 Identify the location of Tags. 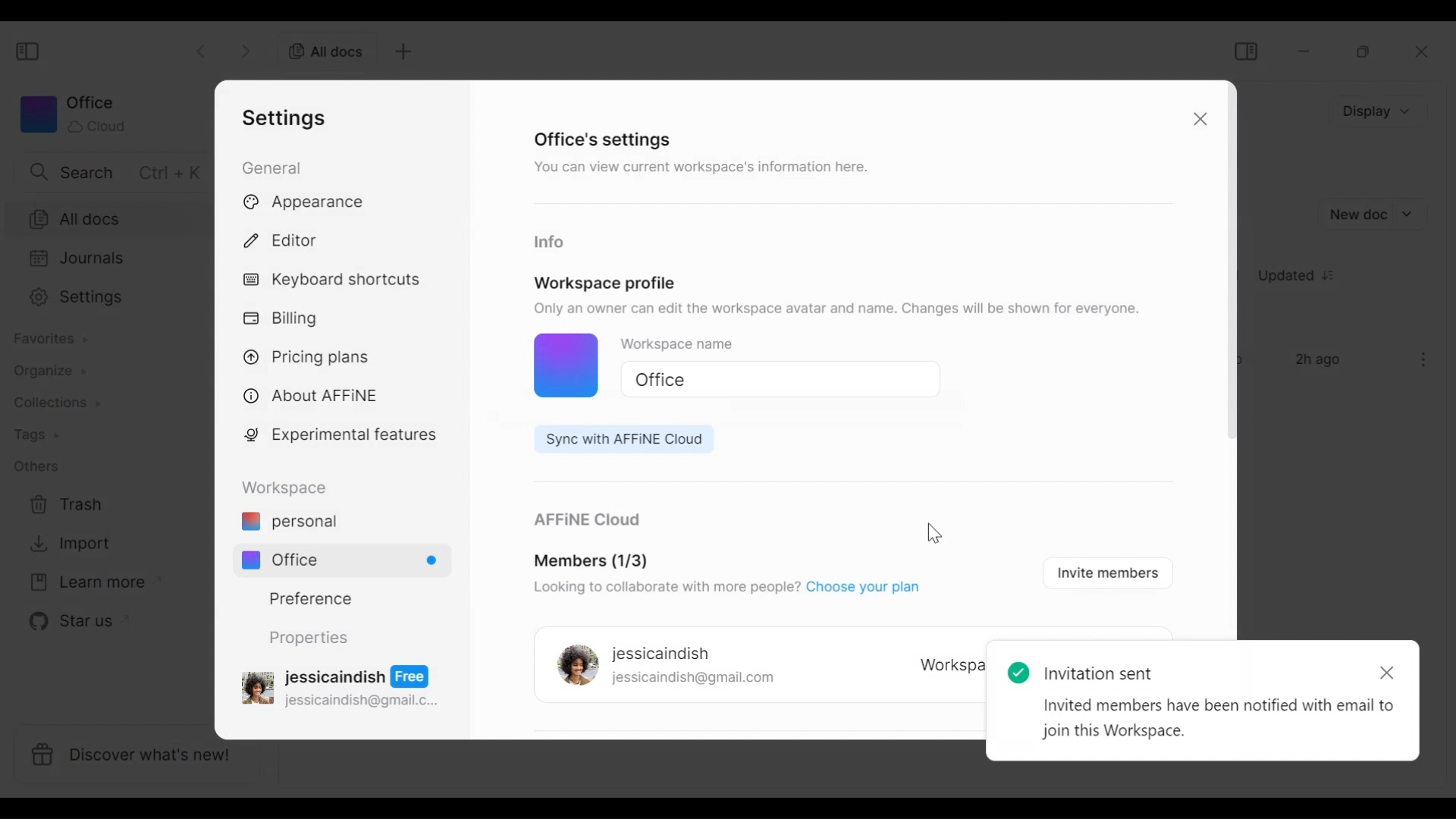
(36, 436).